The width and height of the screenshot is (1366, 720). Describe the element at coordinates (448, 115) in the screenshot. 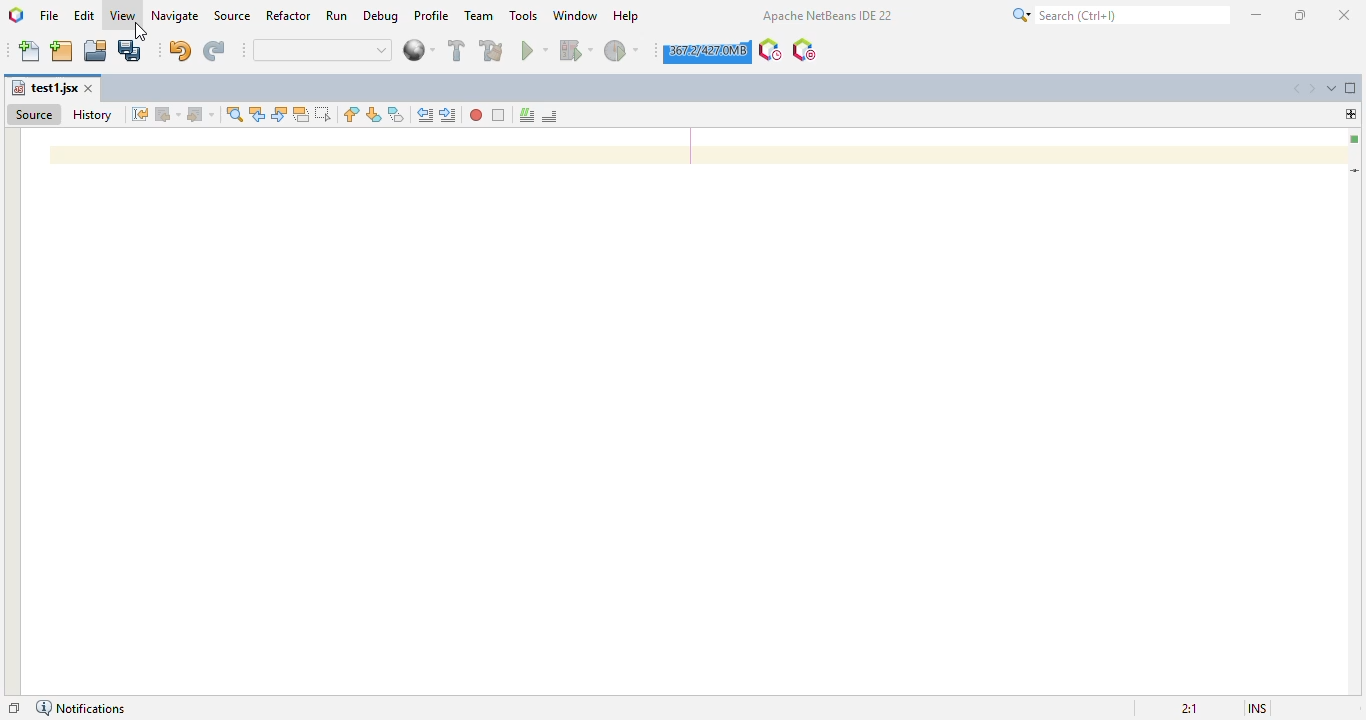

I see `shift line right` at that location.